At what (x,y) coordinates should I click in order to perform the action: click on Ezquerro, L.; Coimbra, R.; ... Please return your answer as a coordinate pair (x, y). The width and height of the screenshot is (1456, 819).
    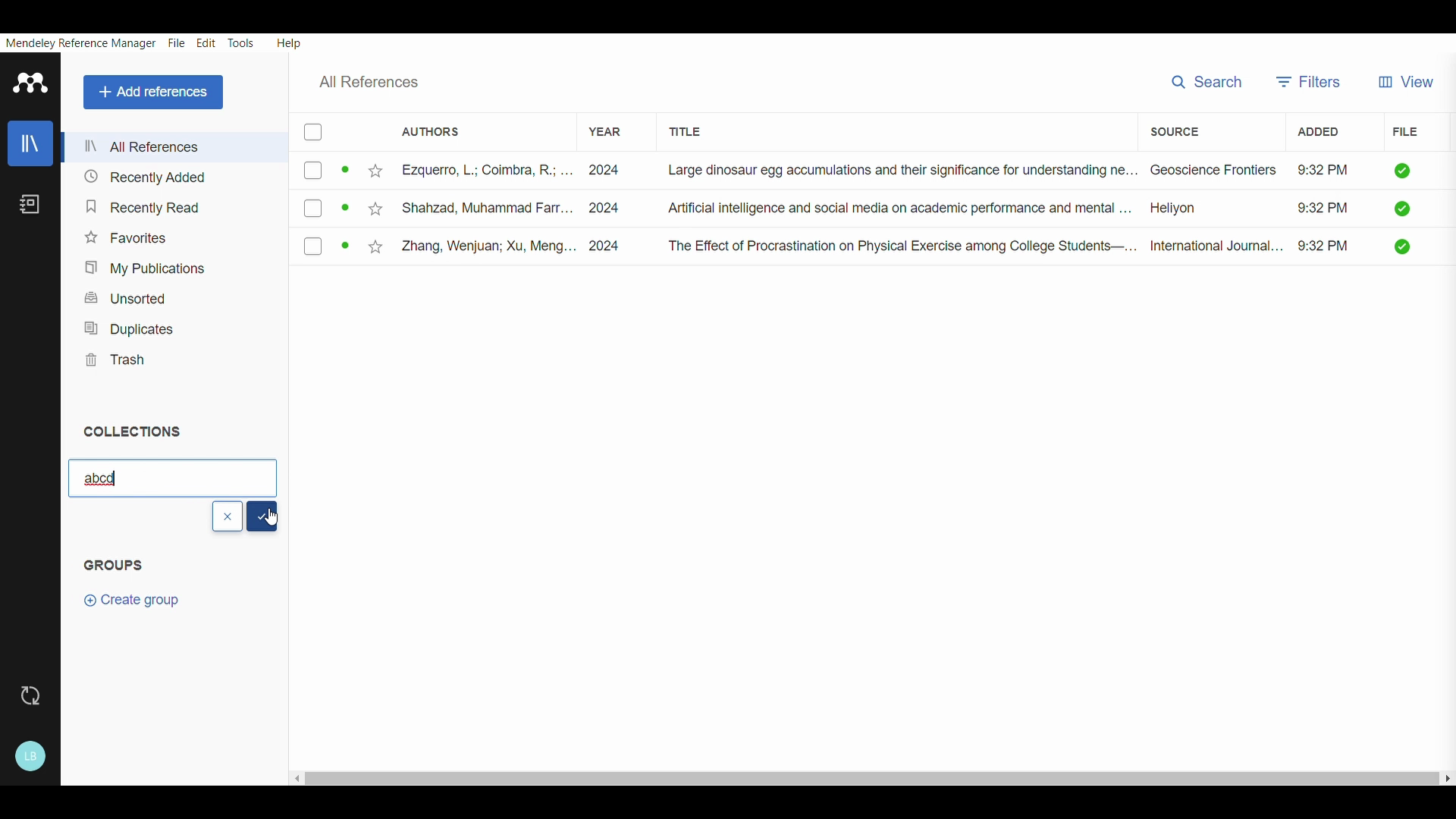
    Looking at the image, I should click on (466, 172).